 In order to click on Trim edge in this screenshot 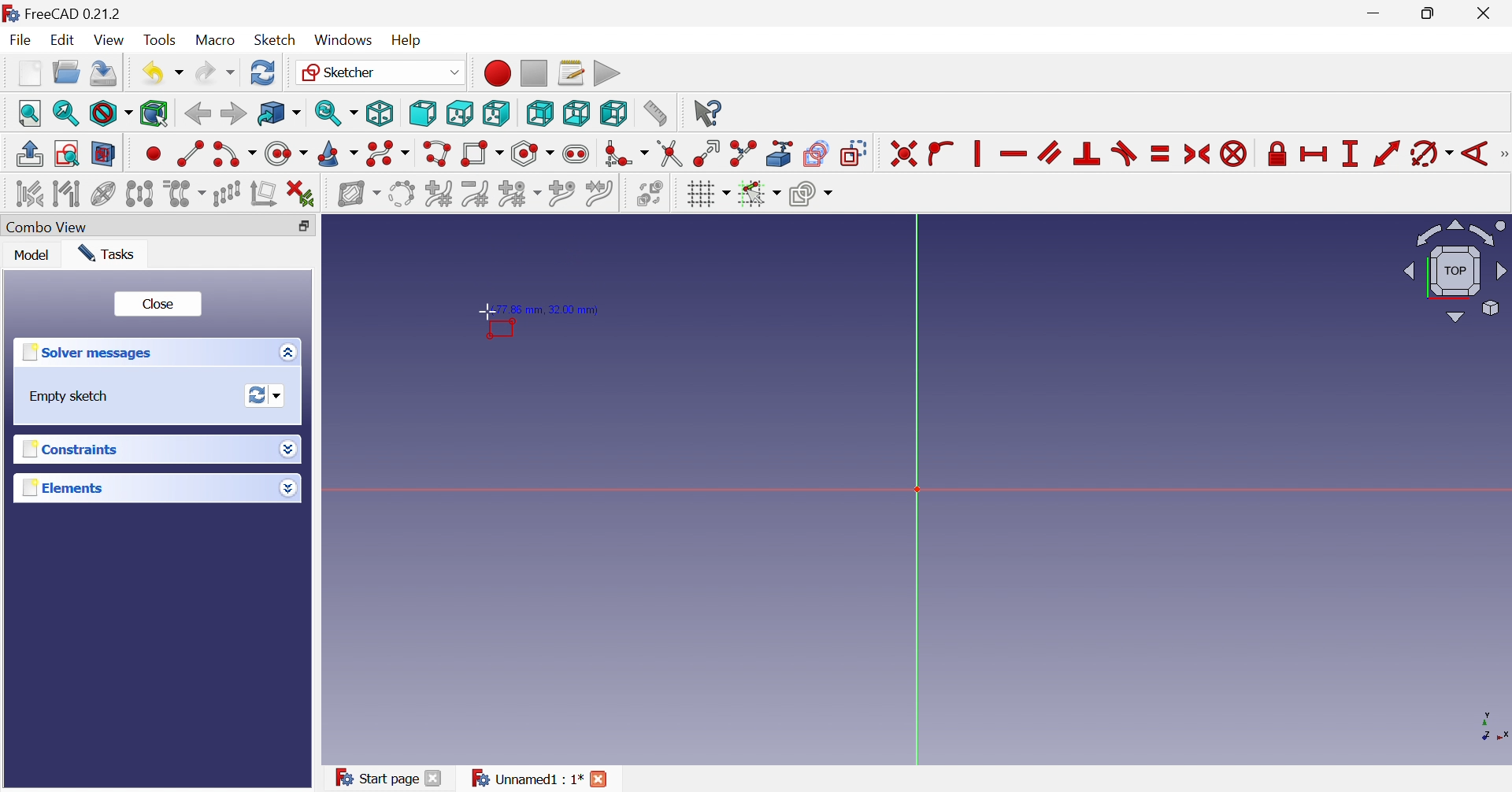, I will do `click(669, 154)`.